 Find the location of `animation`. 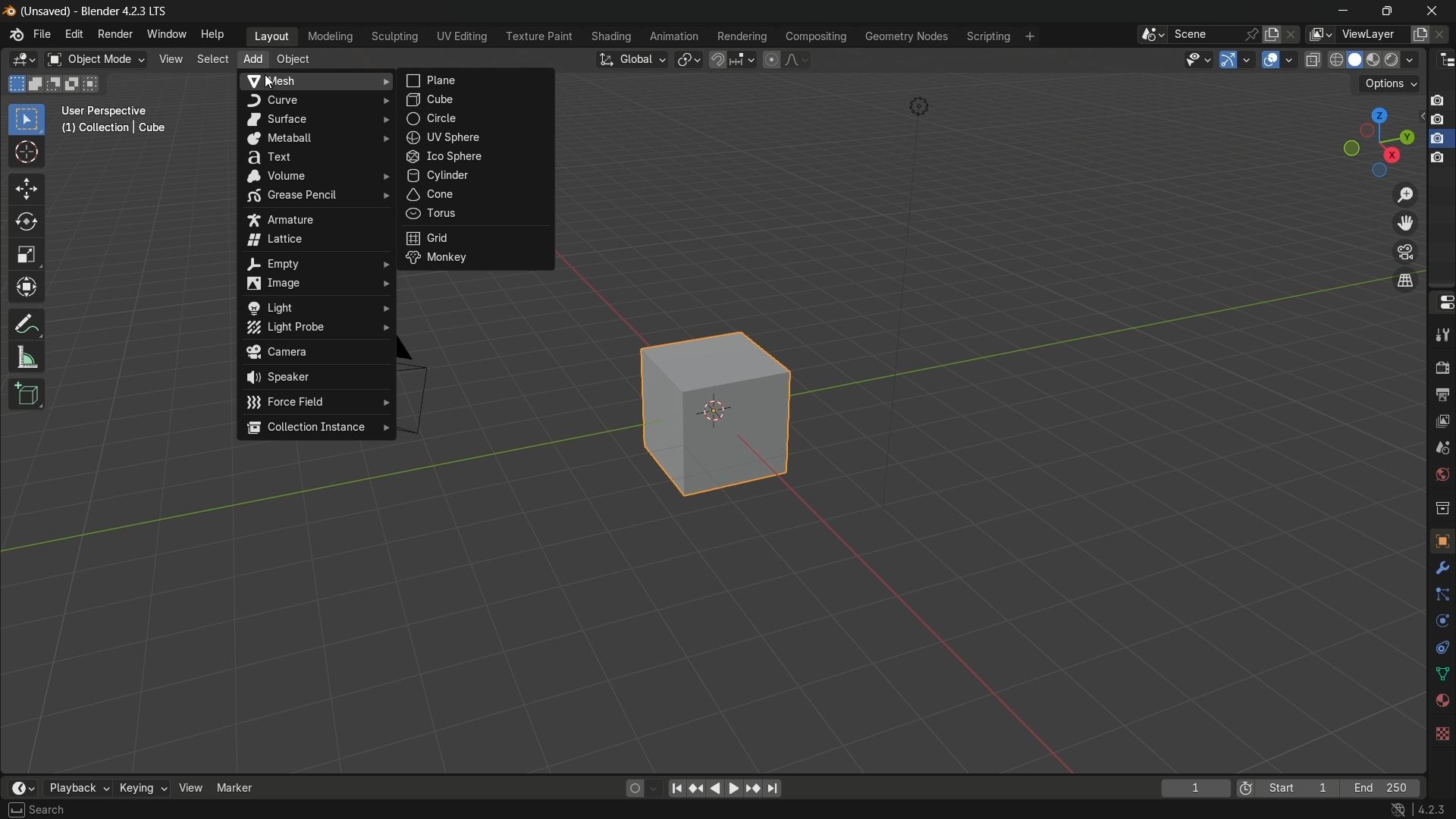

animation is located at coordinates (674, 36).